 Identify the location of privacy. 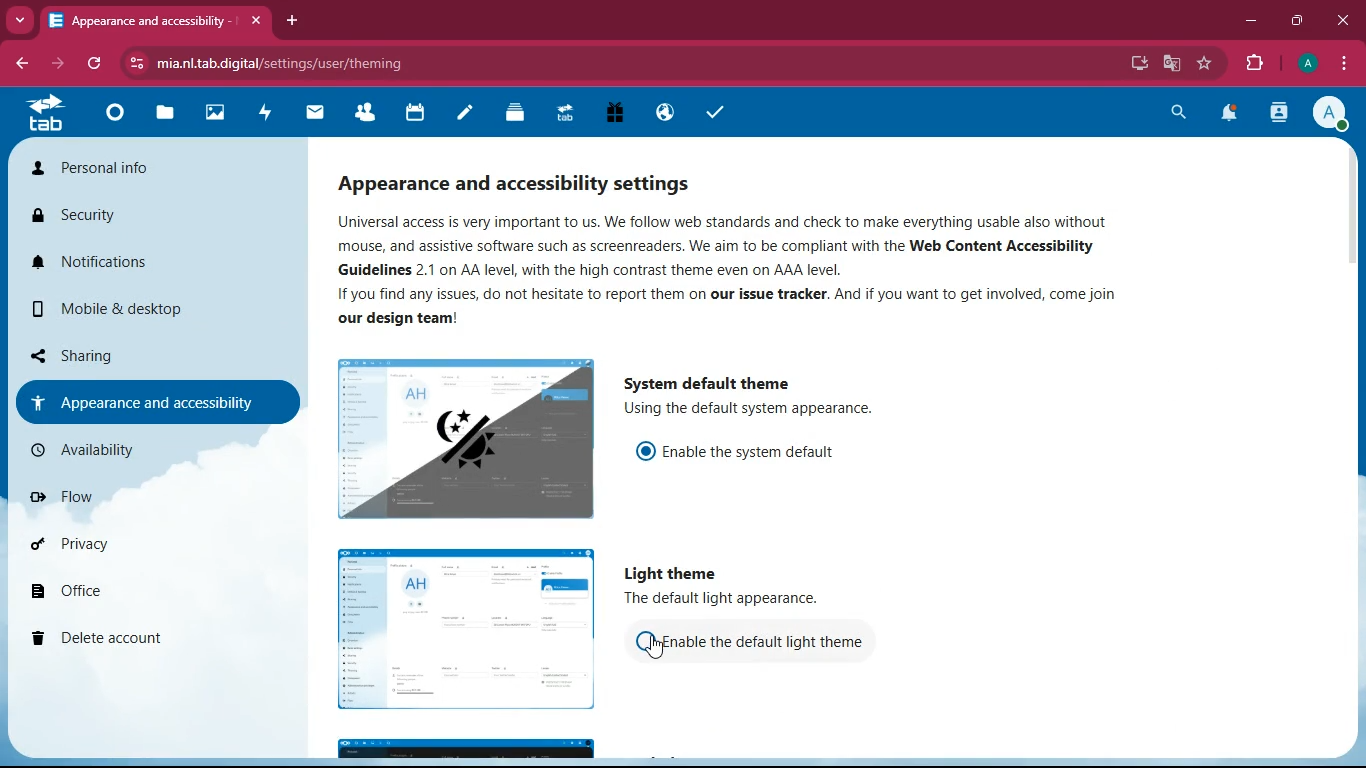
(158, 540).